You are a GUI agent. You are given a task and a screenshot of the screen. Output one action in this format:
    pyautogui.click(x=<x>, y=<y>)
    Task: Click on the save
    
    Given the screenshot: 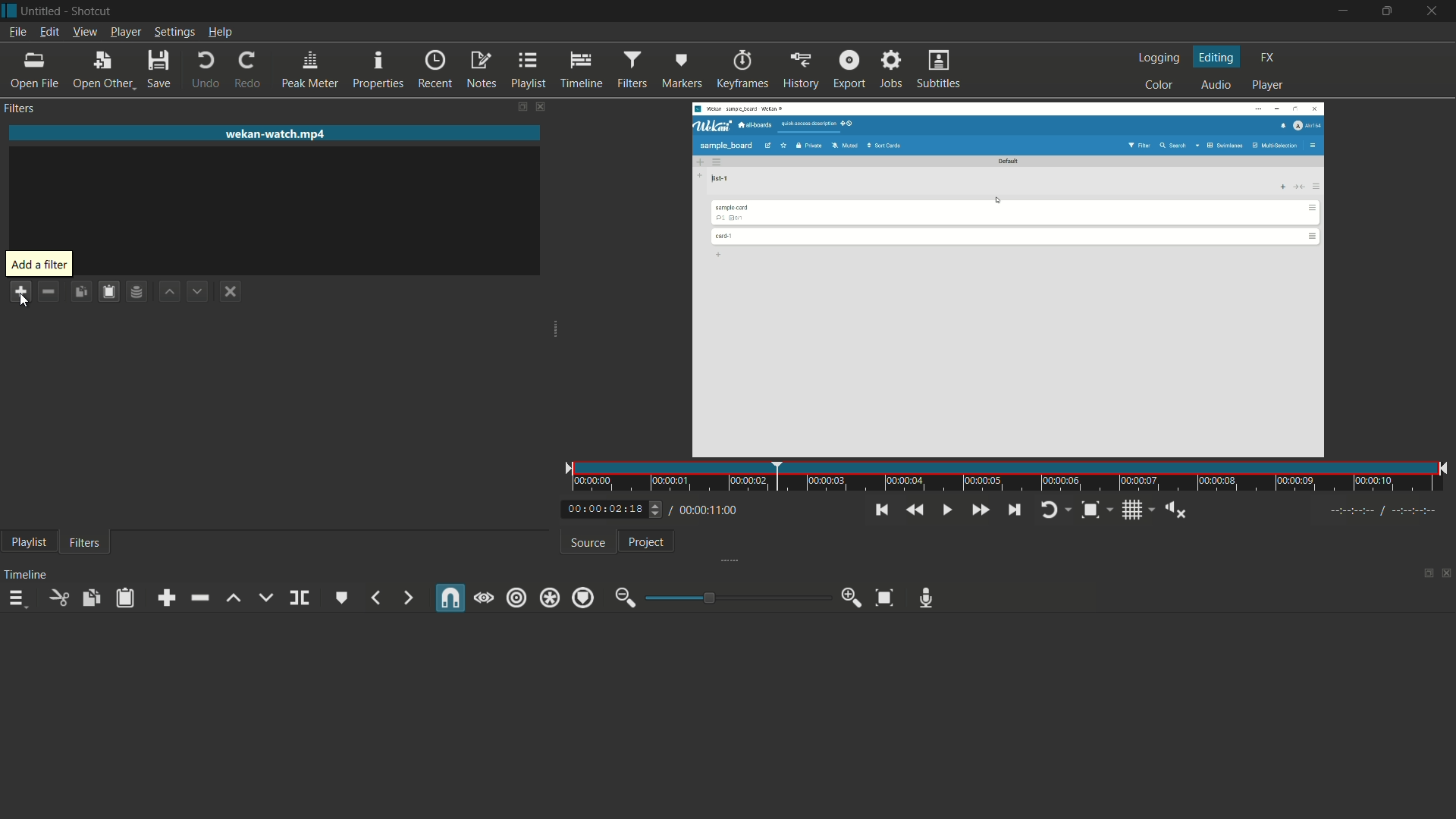 What is the action you would take?
    pyautogui.click(x=158, y=68)
    